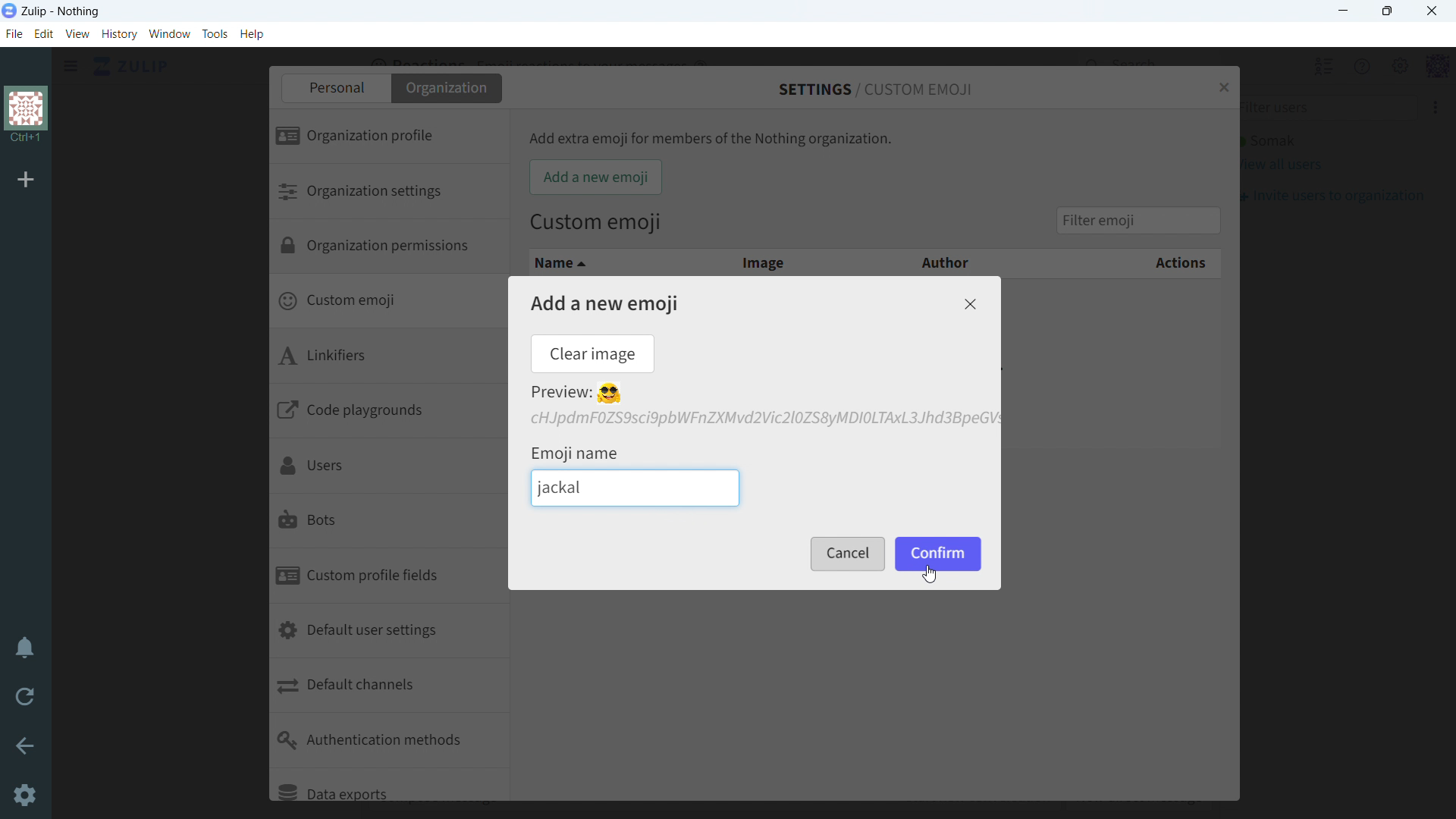 The height and width of the screenshot is (819, 1456). I want to click on add organization, so click(27, 180).